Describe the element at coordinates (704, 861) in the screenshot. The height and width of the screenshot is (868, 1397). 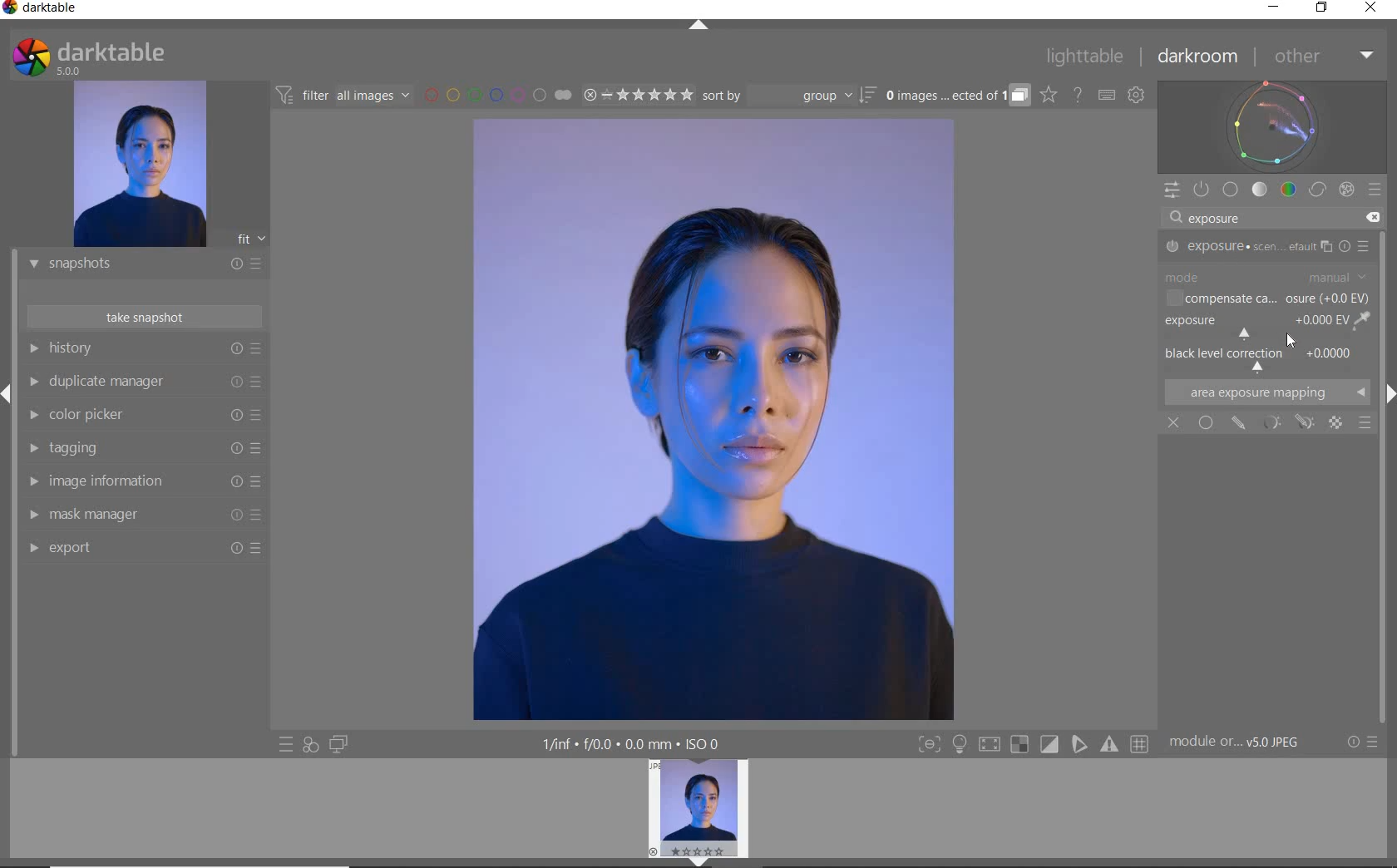
I see `EXPAND/COLLAPSE` at that location.